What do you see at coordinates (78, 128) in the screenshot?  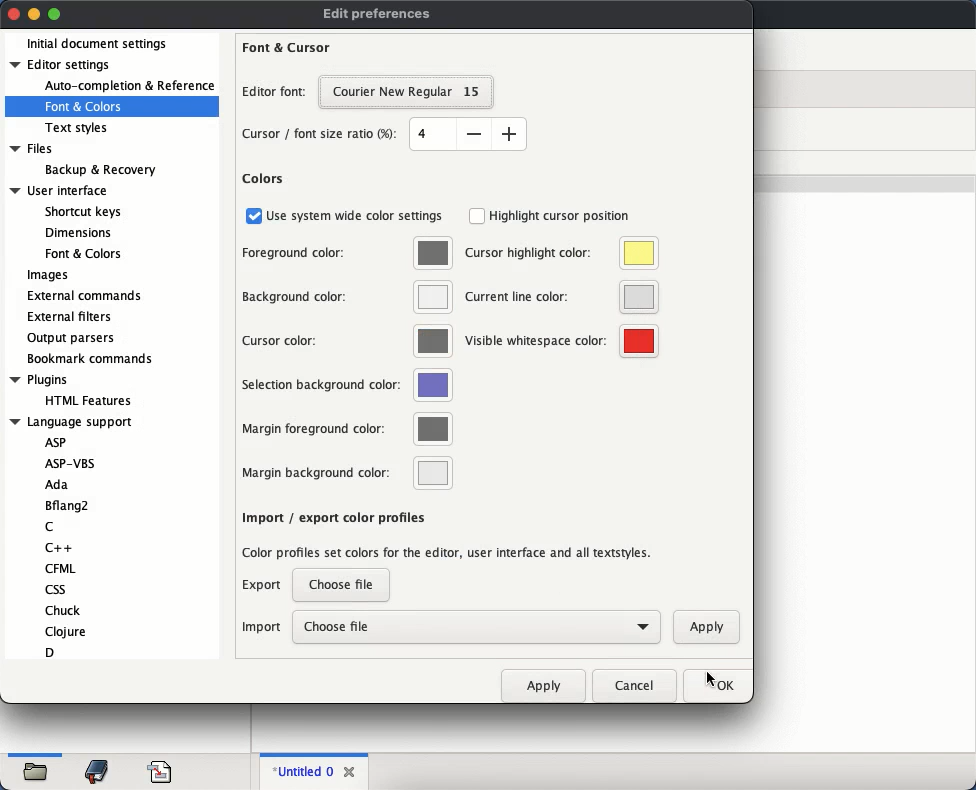 I see `text styles` at bounding box center [78, 128].